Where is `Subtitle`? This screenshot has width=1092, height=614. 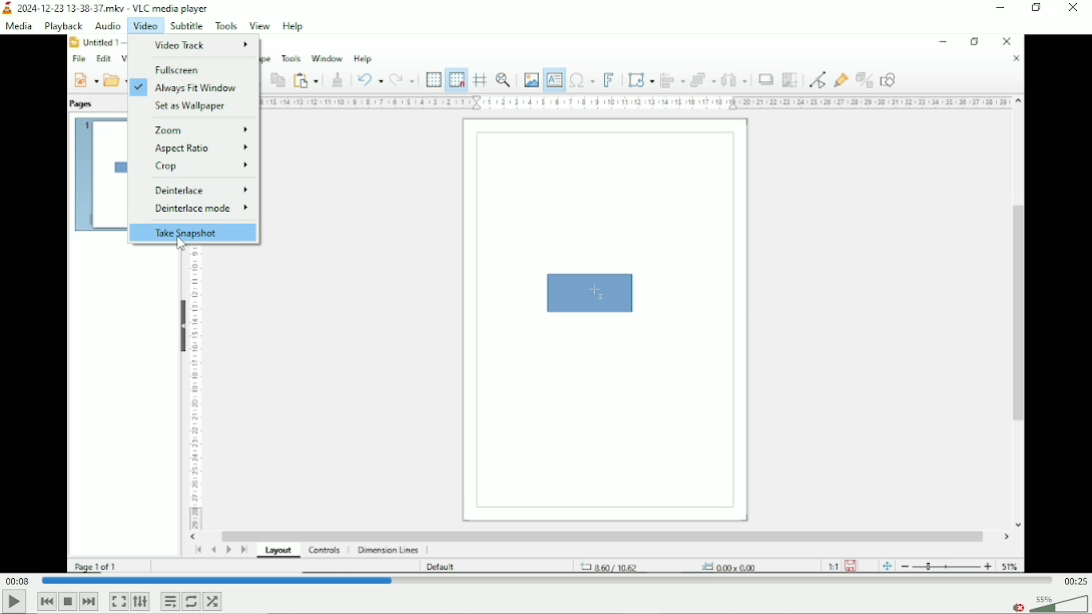 Subtitle is located at coordinates (185, 26).